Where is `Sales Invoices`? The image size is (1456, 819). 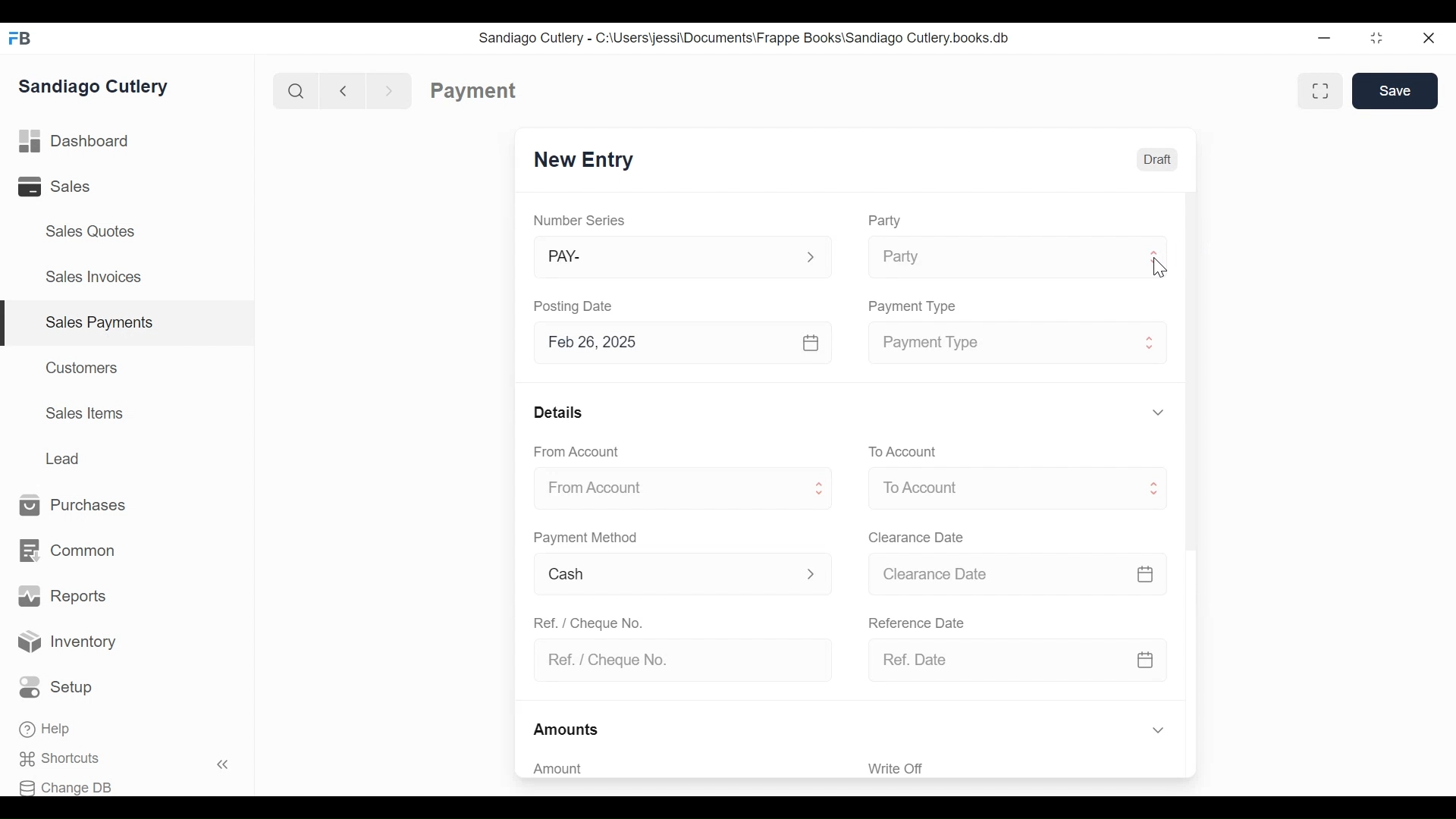
Sales Invoices is located at coordinates (93, 278).